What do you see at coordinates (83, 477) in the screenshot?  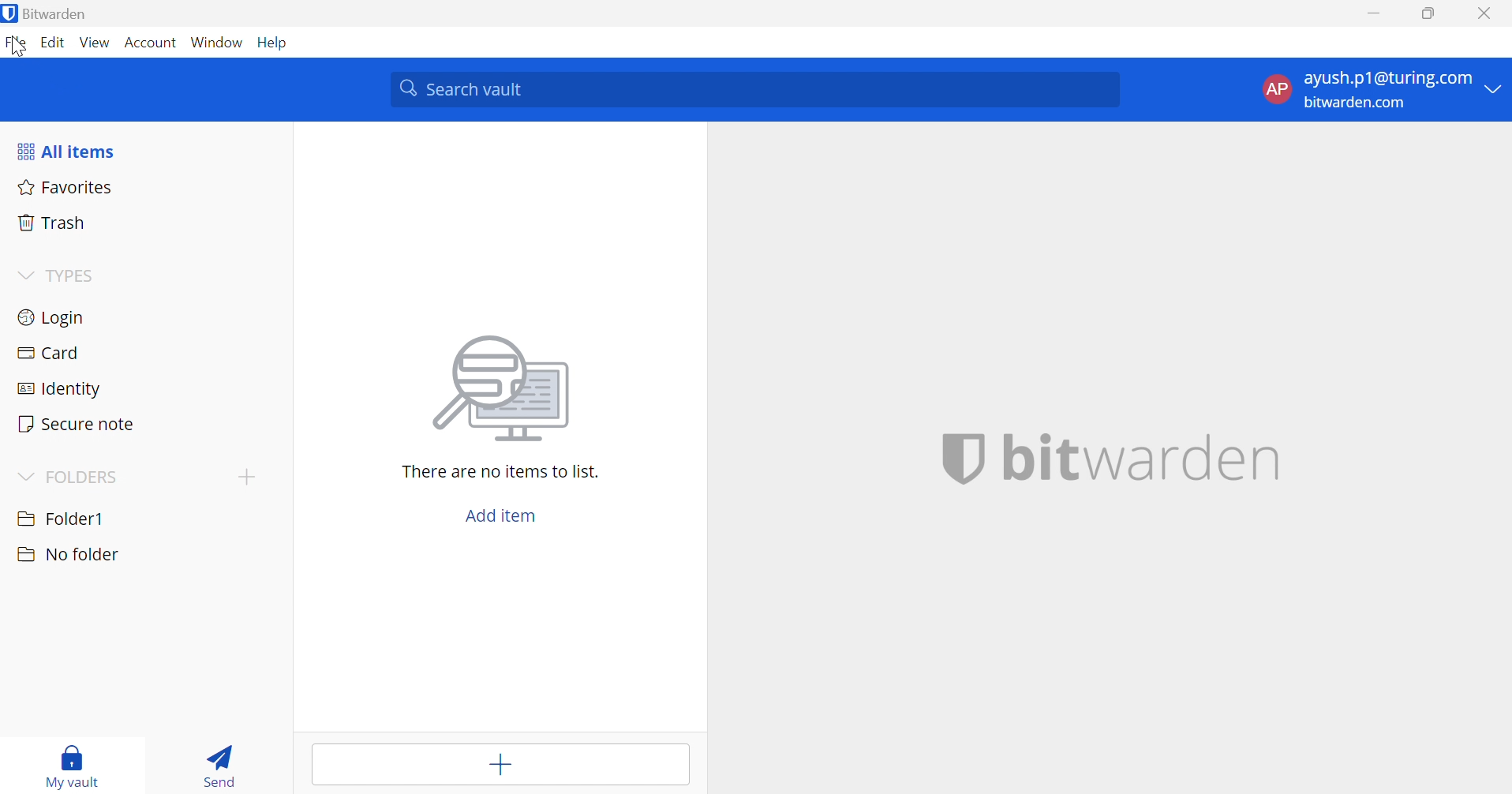 I see `FOLDERS` at bounding box center [83, 477].